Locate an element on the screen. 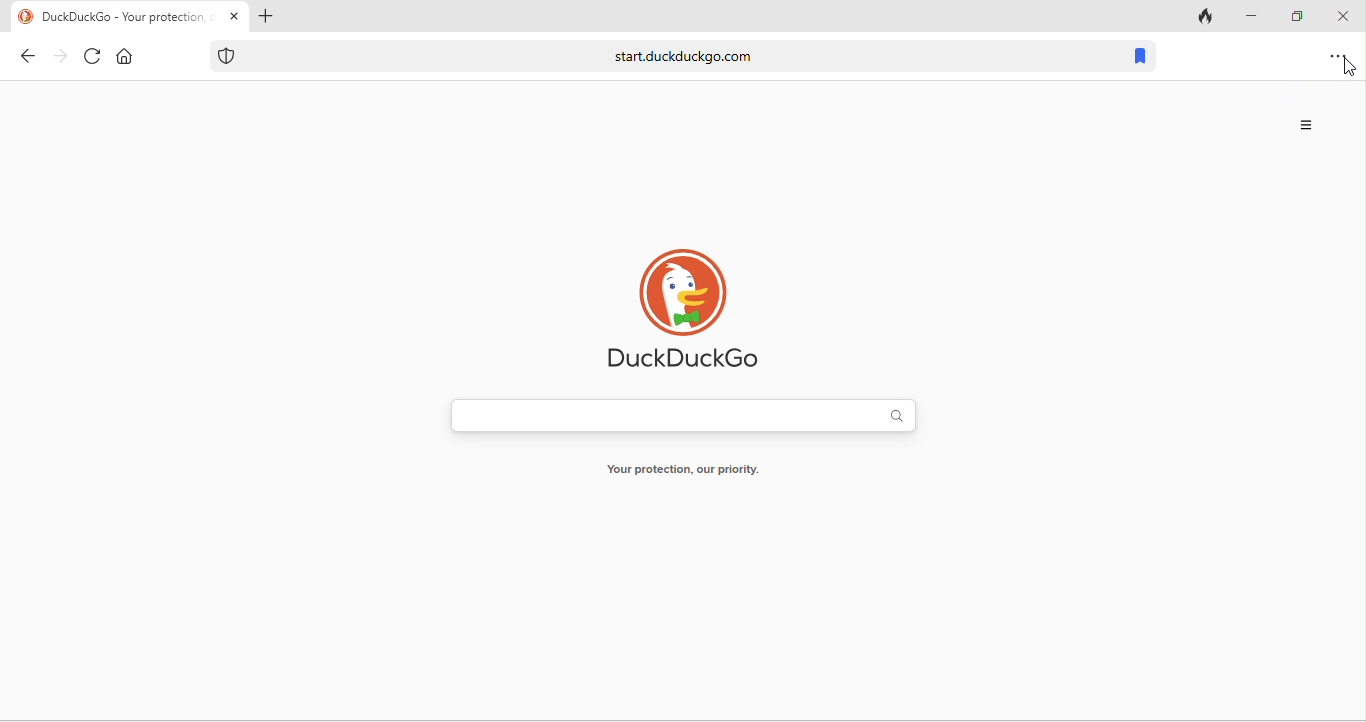 The height and width of the screenshot is (722, 1366). track tab is located at coordinates (1202, 18).